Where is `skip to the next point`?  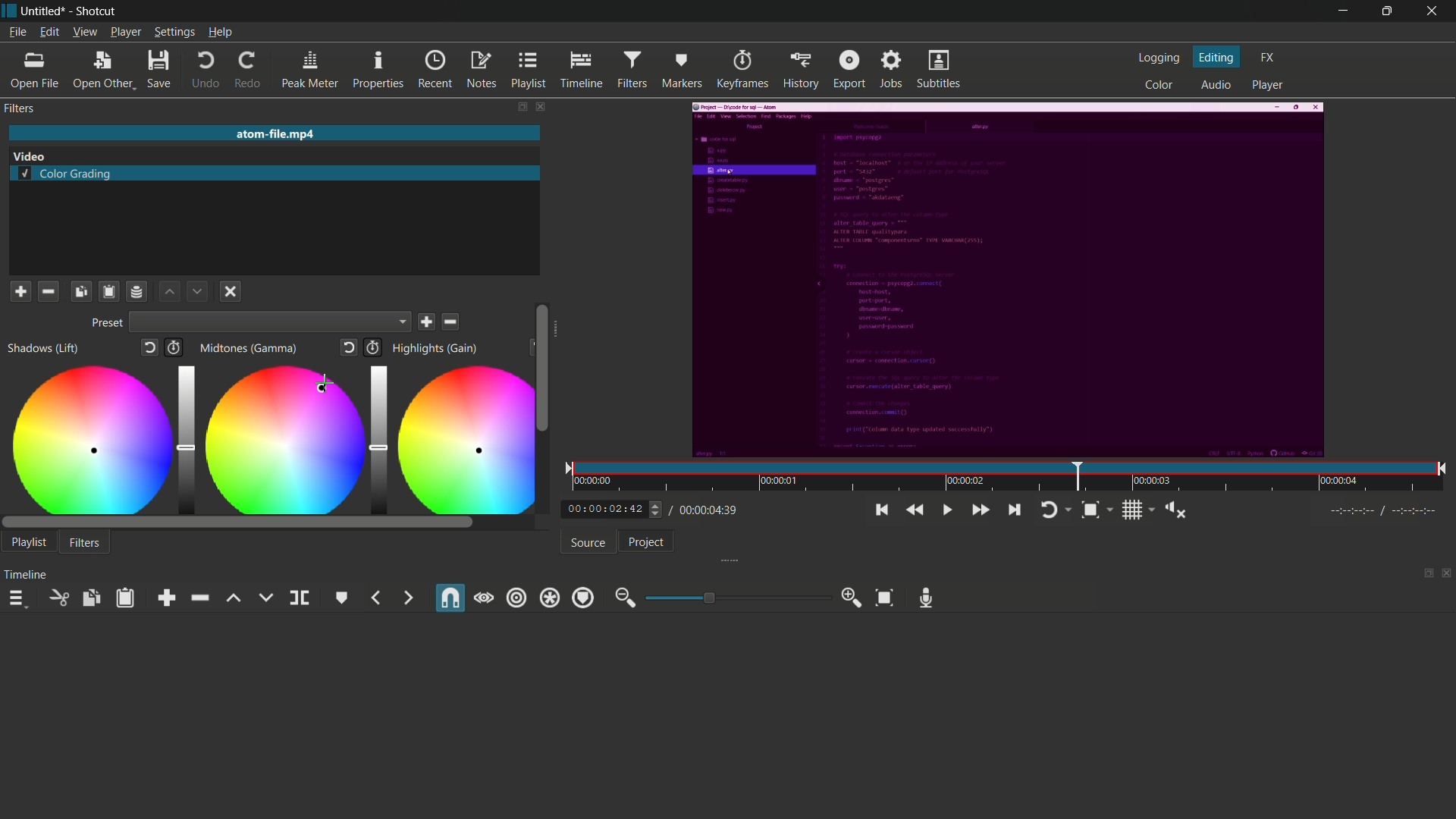
skip to the next point is located at coordinates (1012, 510).